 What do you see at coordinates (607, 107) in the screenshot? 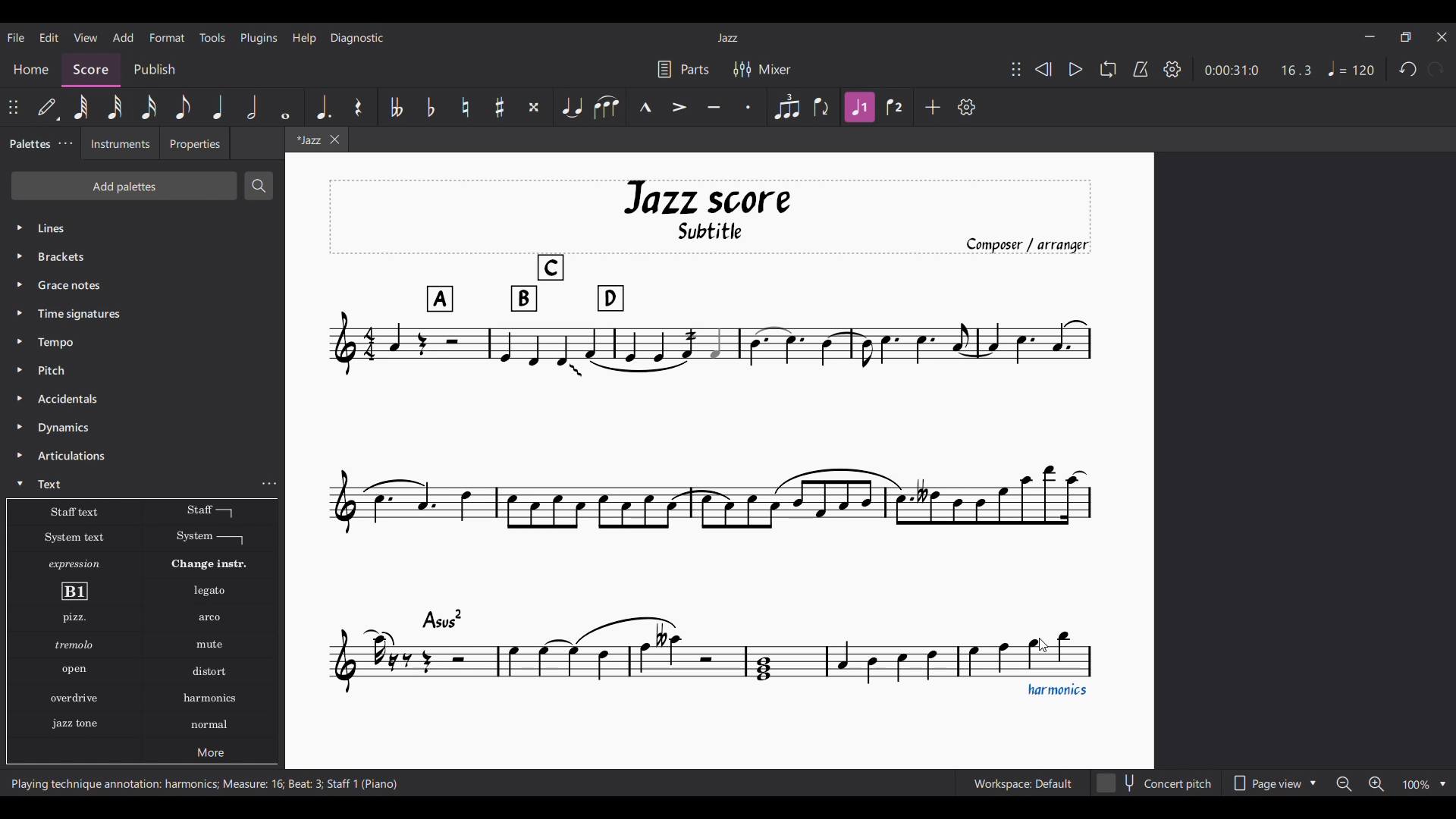
I see `Slur` at bounding box center [607, 107].